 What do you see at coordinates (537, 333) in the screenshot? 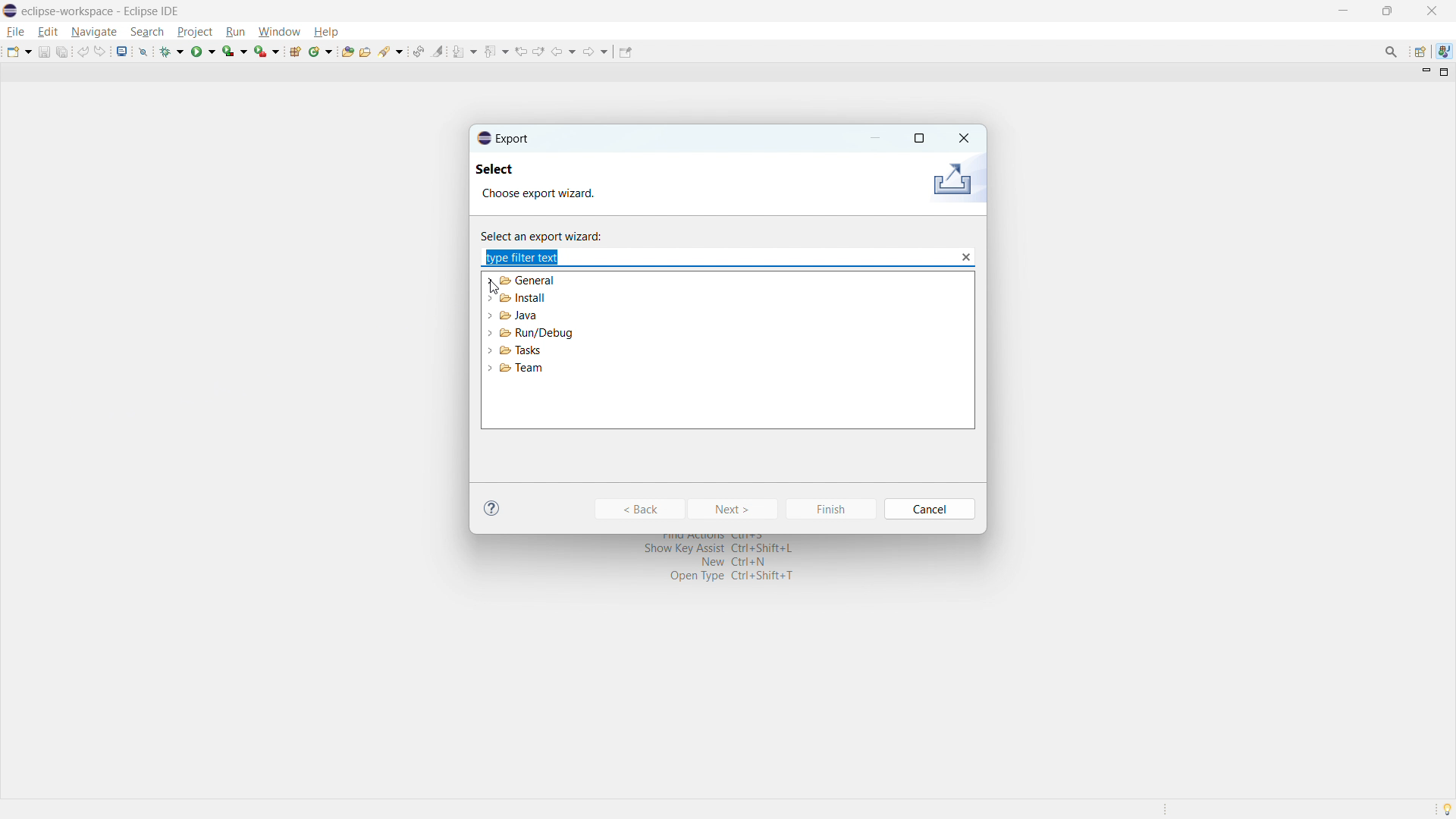
I see `run/debug` at bounding box center [537, 333].